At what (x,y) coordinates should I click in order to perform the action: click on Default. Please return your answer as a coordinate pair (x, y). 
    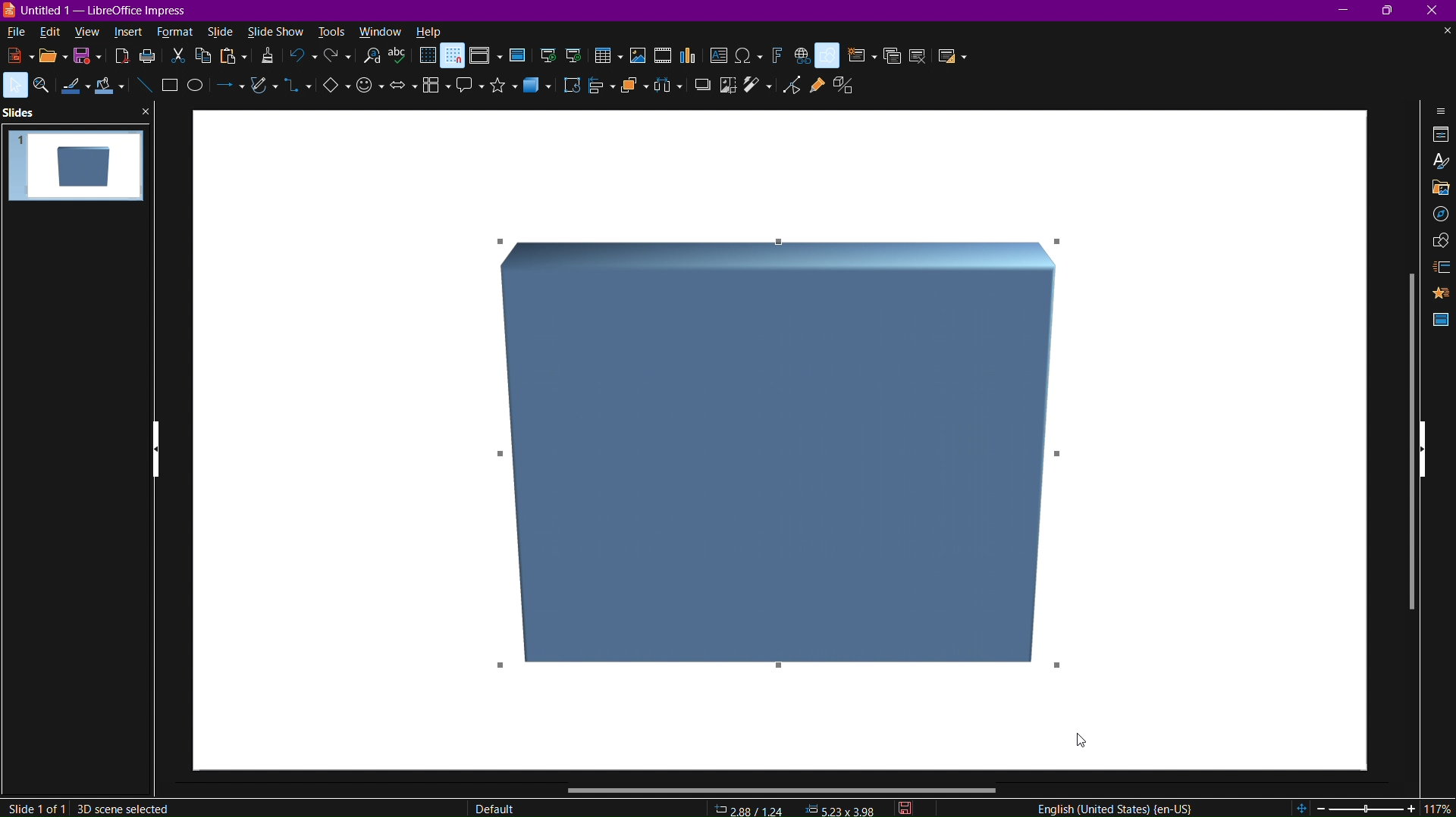
    Looking at the image, I should click on (494, 806).